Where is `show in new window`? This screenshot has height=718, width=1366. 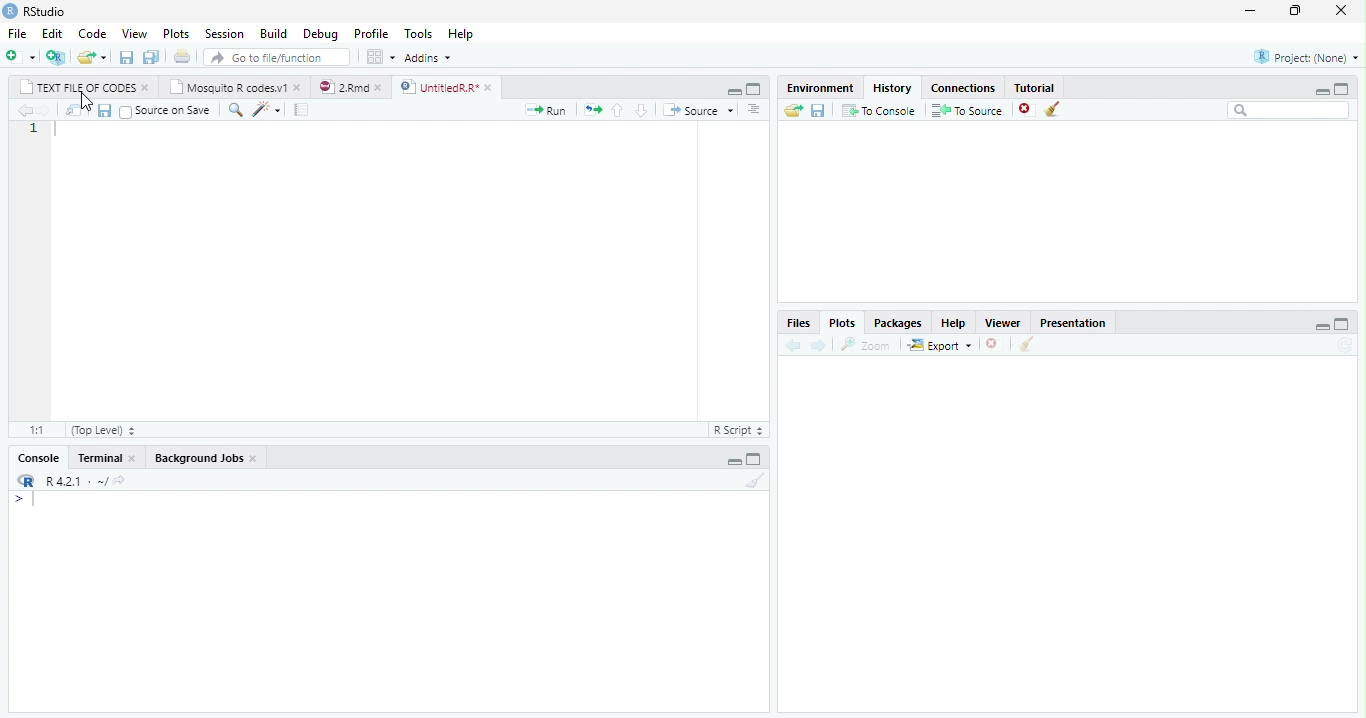
show in new window is located at coordinates (73, 112).